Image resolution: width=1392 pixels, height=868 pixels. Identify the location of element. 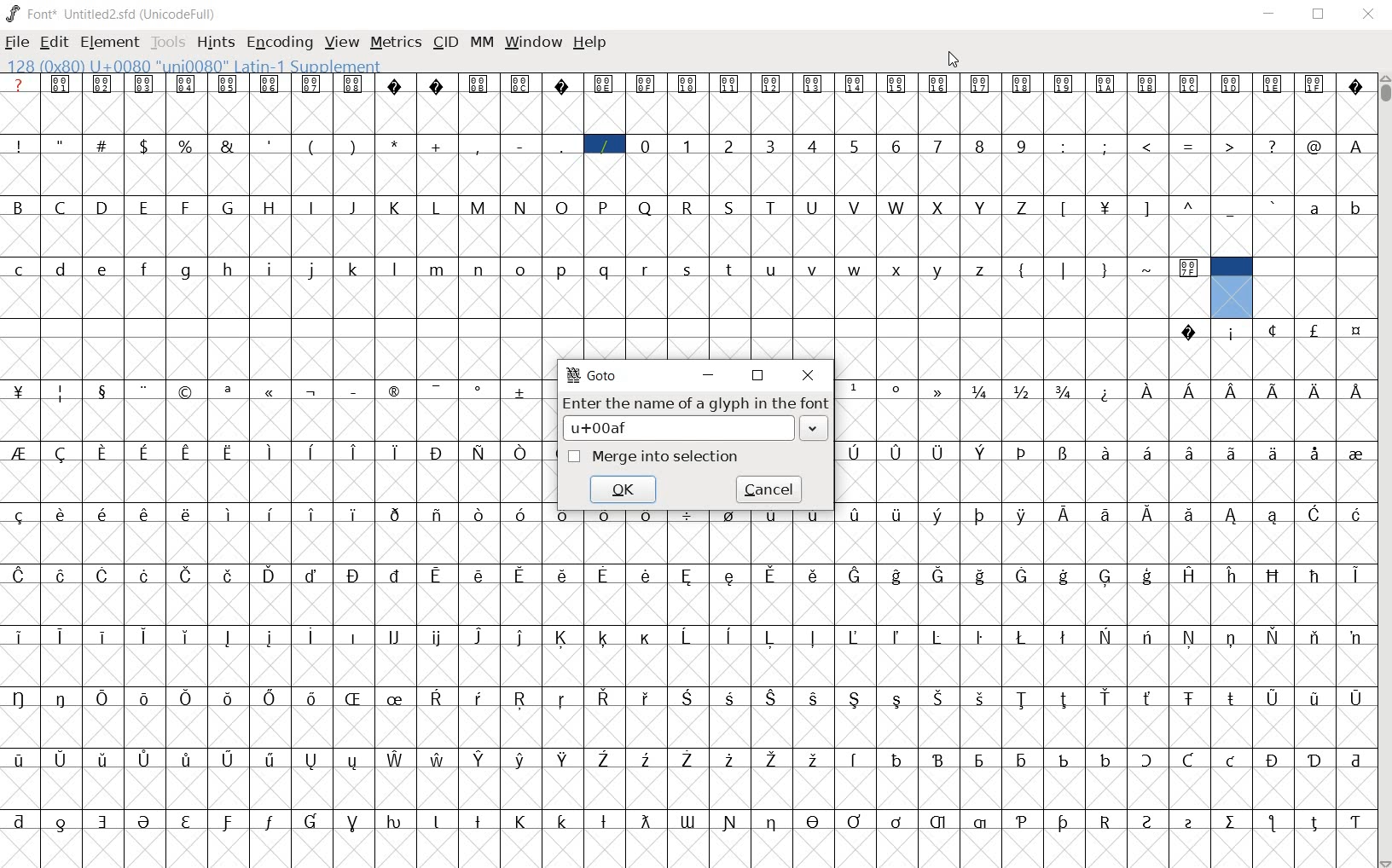
(111, 43).